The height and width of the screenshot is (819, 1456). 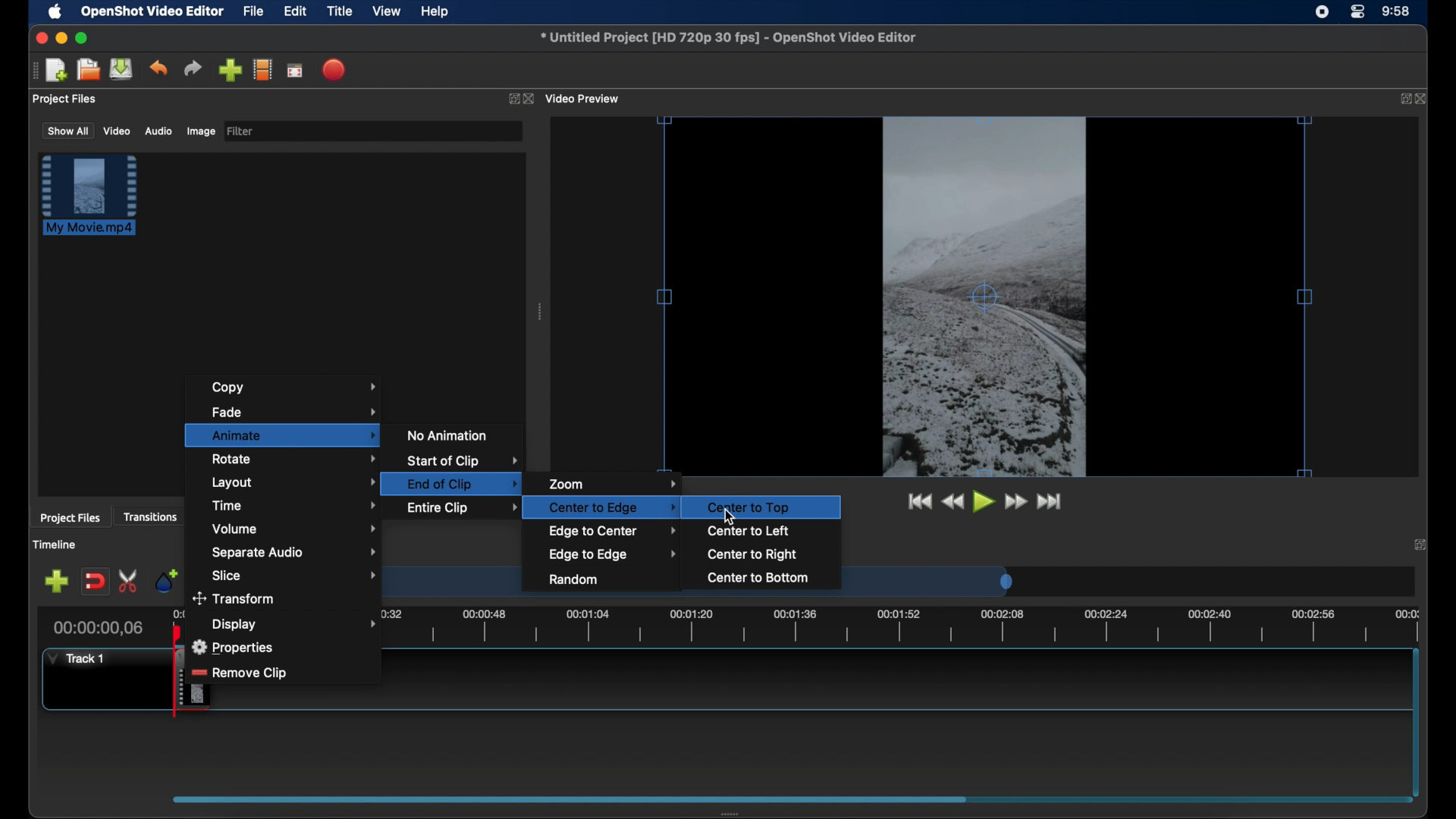 I want to click on full screen, so click(x=296, y=70).